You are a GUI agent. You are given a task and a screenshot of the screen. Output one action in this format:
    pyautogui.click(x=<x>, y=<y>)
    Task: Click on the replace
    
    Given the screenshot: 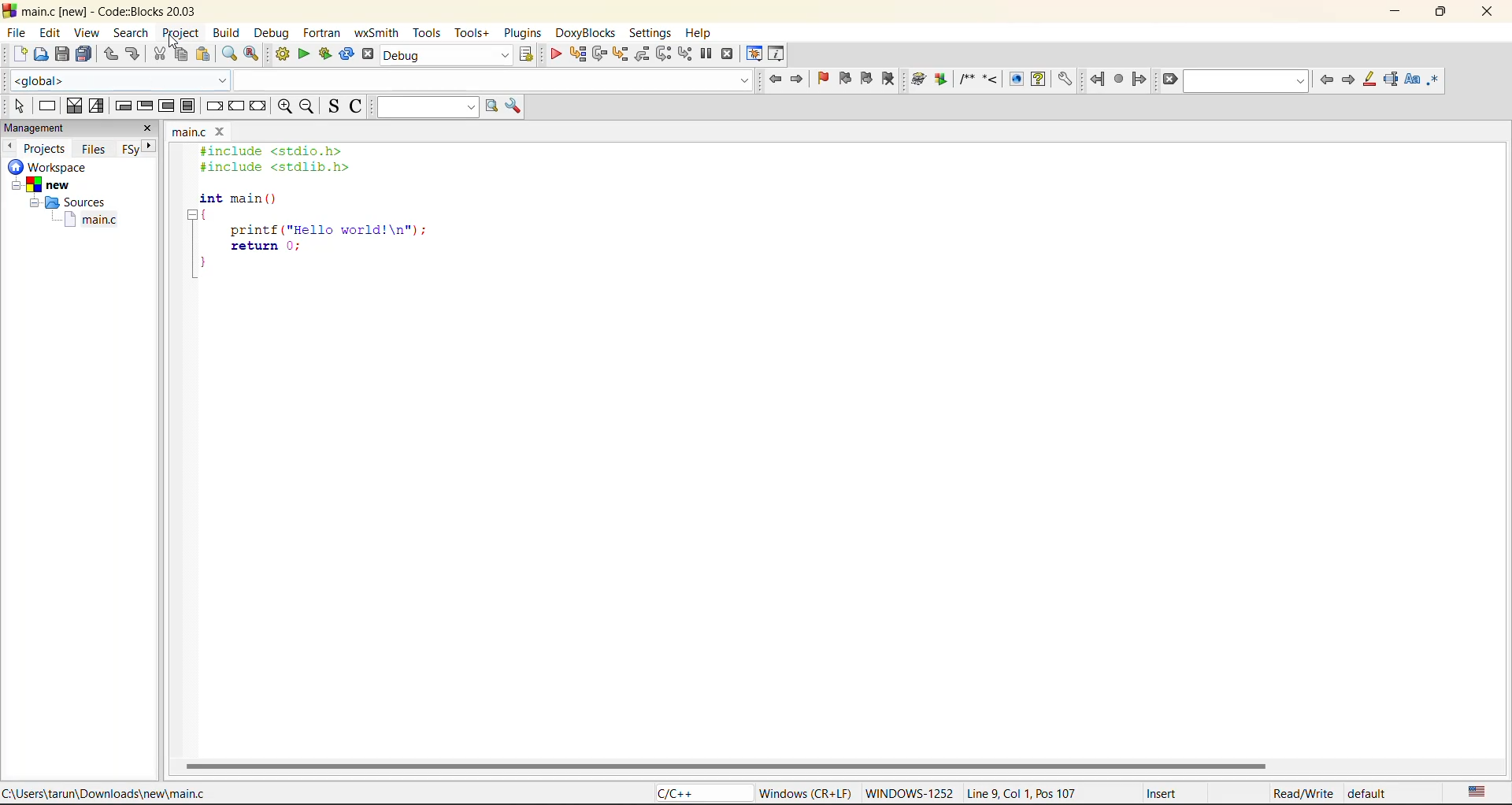 What is the action you would take?
    pyautogui.click(x=254, y=54)
    